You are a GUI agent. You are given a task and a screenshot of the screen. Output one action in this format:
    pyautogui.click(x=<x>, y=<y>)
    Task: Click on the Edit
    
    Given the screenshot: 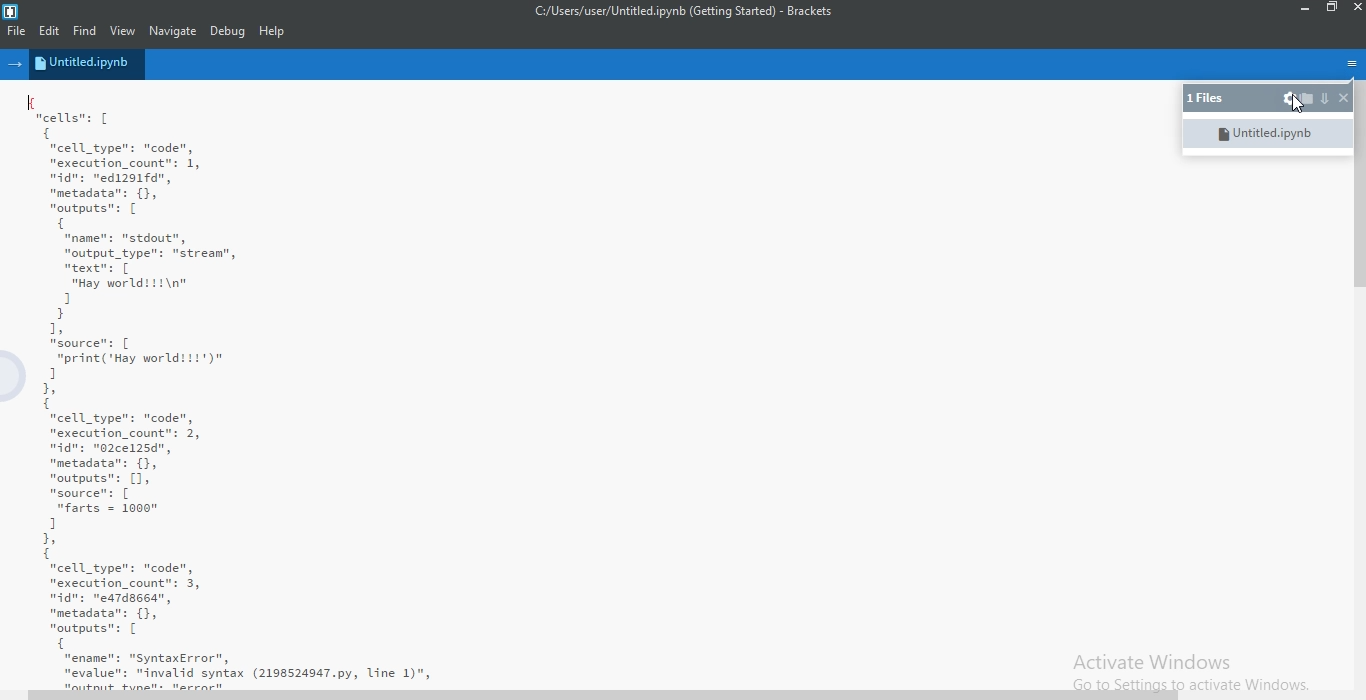 What is the action you would take?
    pyautogui.click(x=53, y=31)
    